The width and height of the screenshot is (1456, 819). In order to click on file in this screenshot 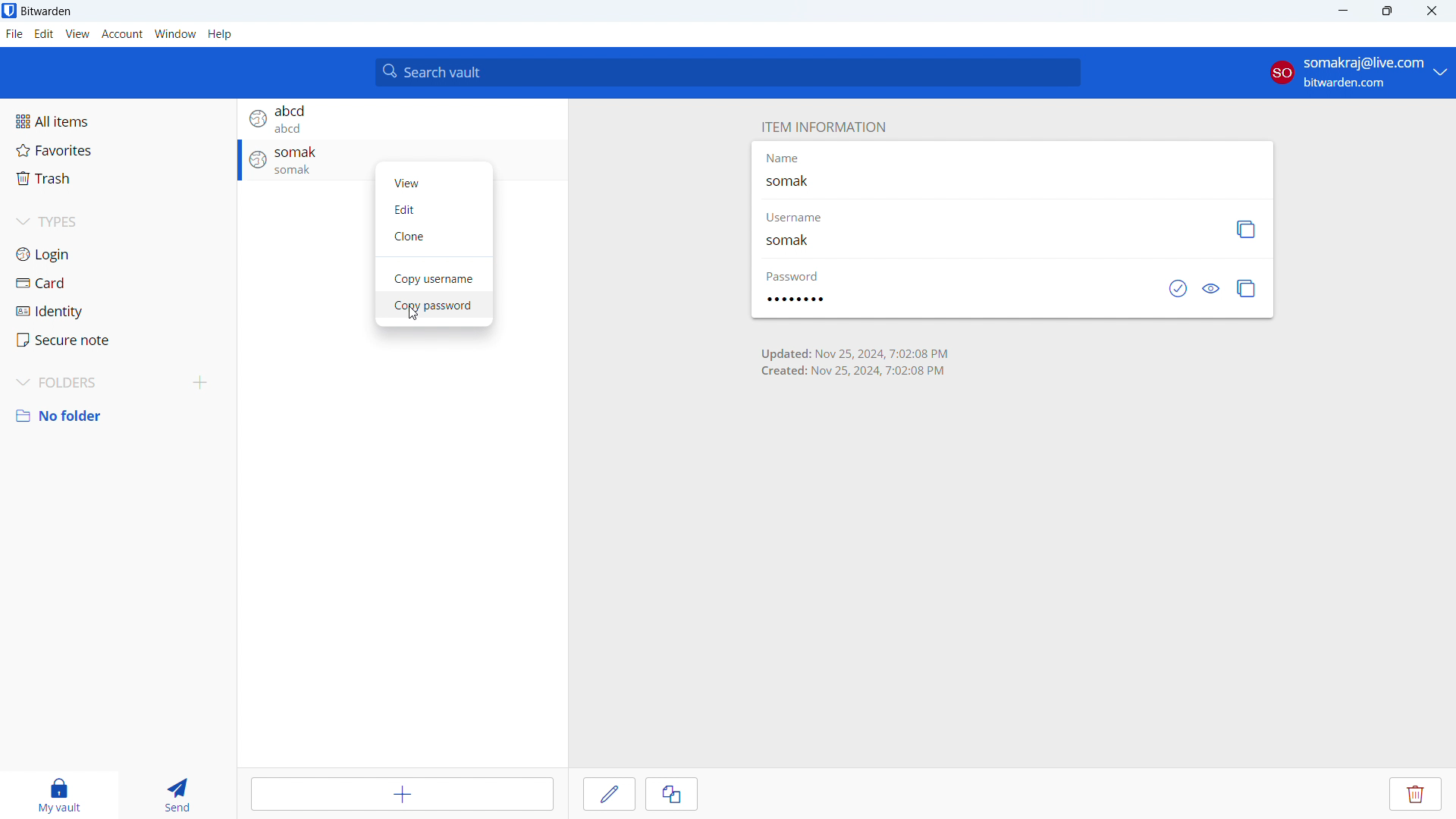, I will do `click(14, 34)`.